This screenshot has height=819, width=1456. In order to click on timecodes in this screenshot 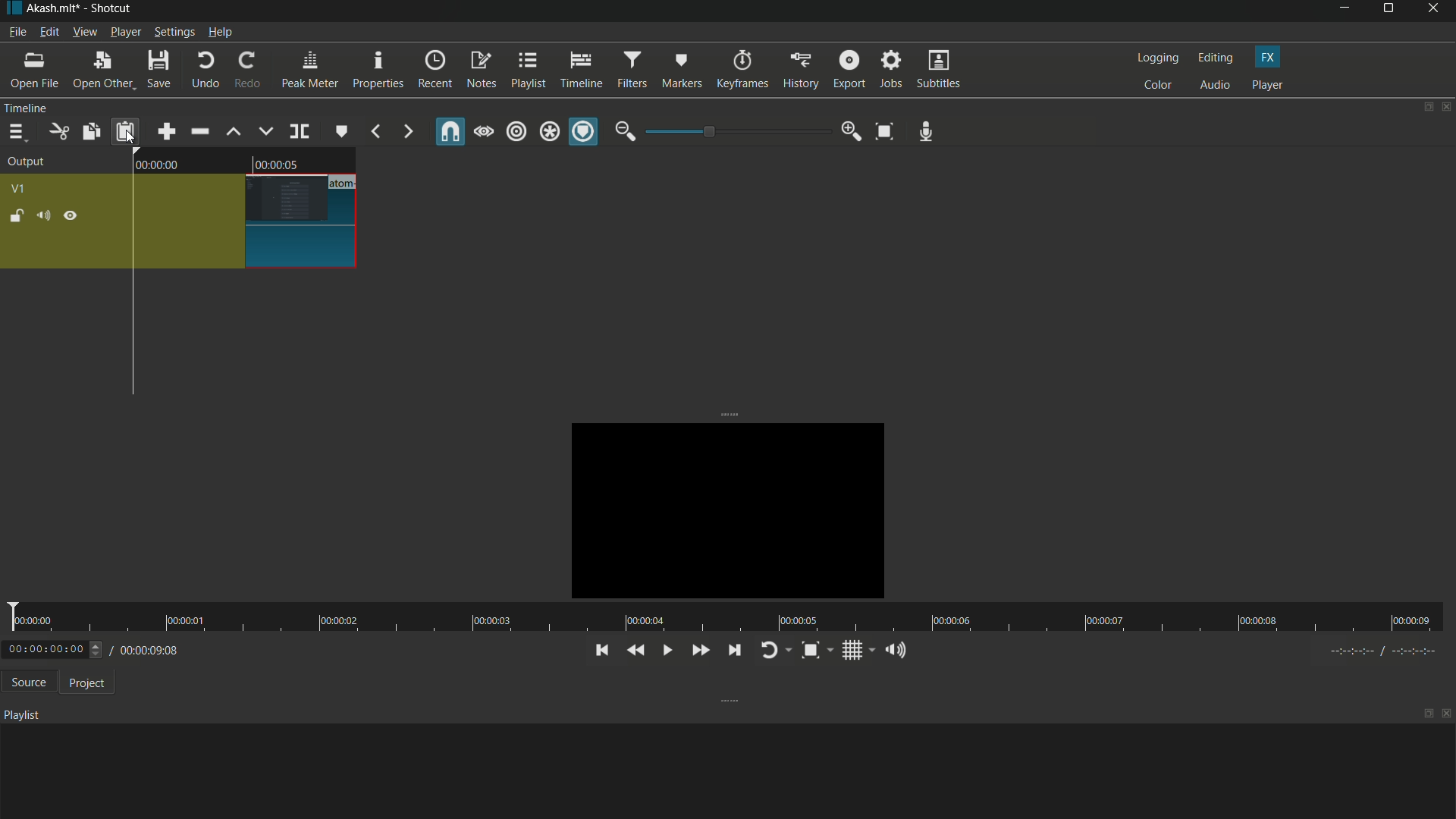, I will do `click(1391, 651)`.